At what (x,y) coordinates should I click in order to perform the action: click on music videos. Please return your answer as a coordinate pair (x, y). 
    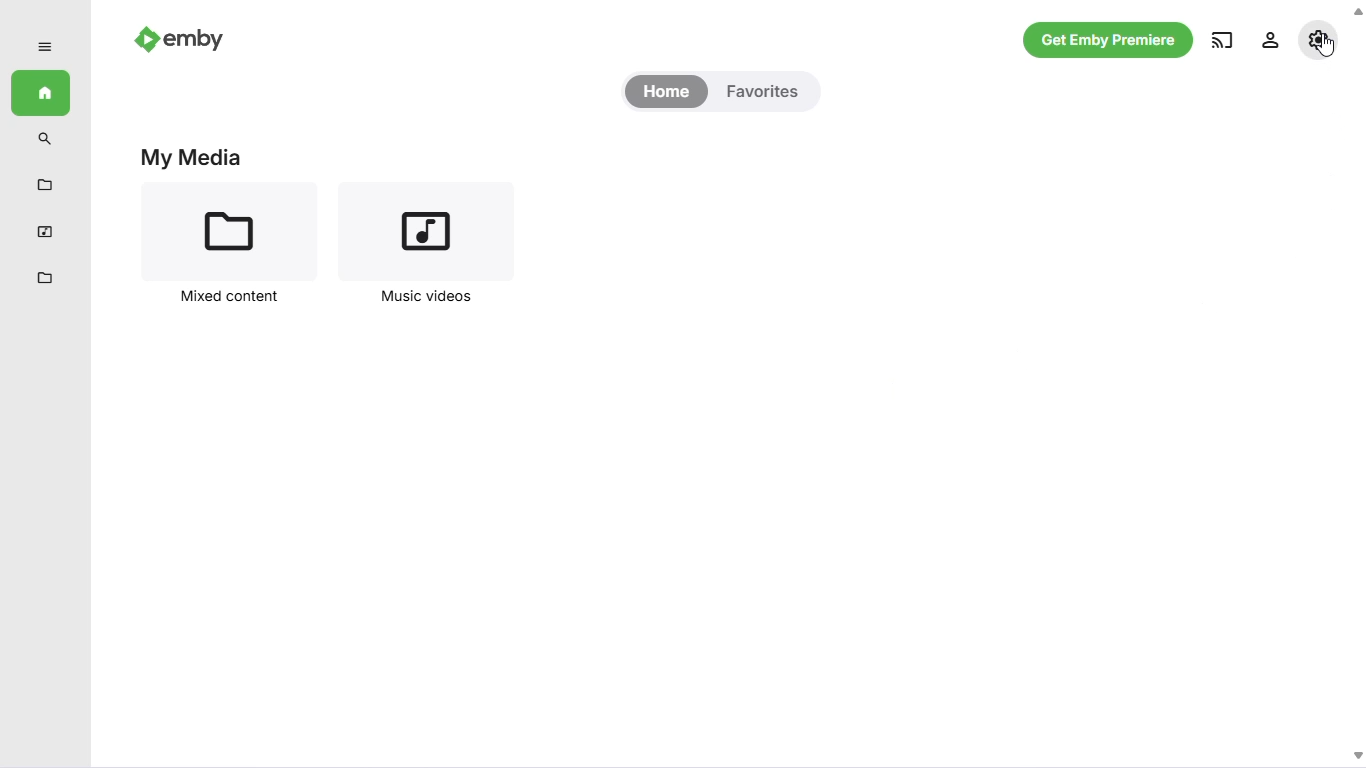
    Looking at the image, I should click on (45, 230).